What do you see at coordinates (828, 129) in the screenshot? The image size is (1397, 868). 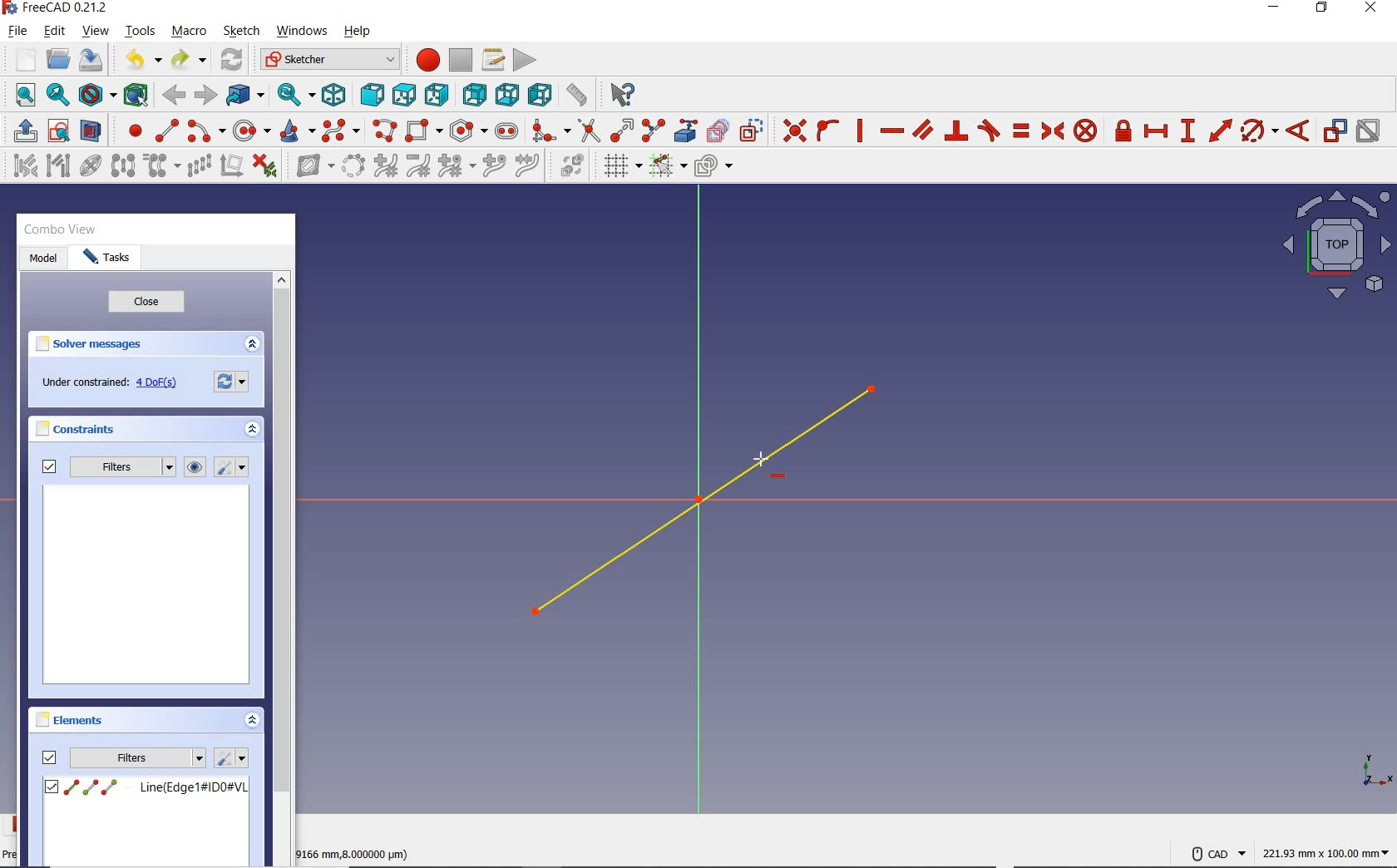 I see `CONSTRAINT POINT ON OBJECT` at bounding box center [828, 129].